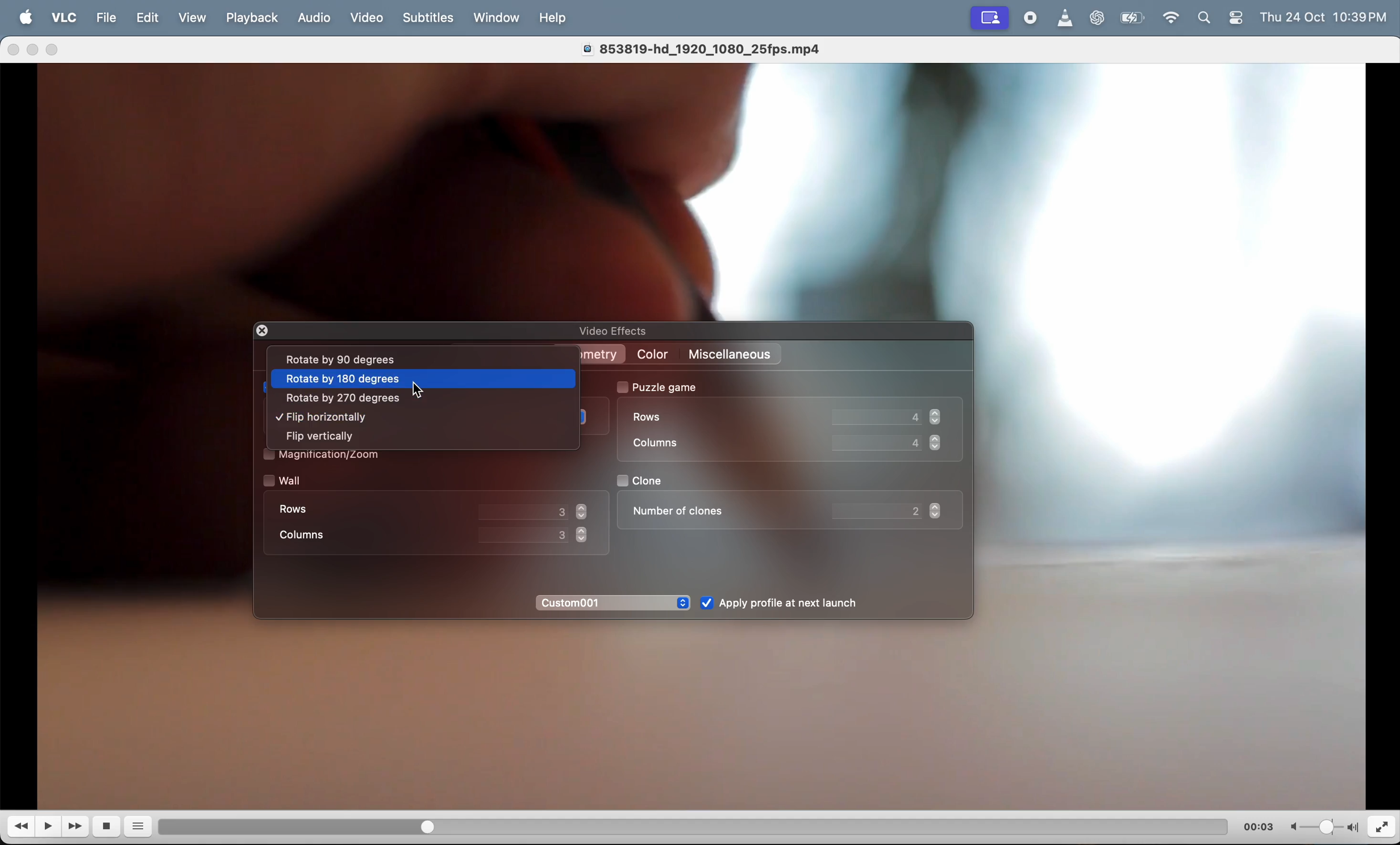 The image size is (1400, 845). I want to click on Audio, so click(315, 19).